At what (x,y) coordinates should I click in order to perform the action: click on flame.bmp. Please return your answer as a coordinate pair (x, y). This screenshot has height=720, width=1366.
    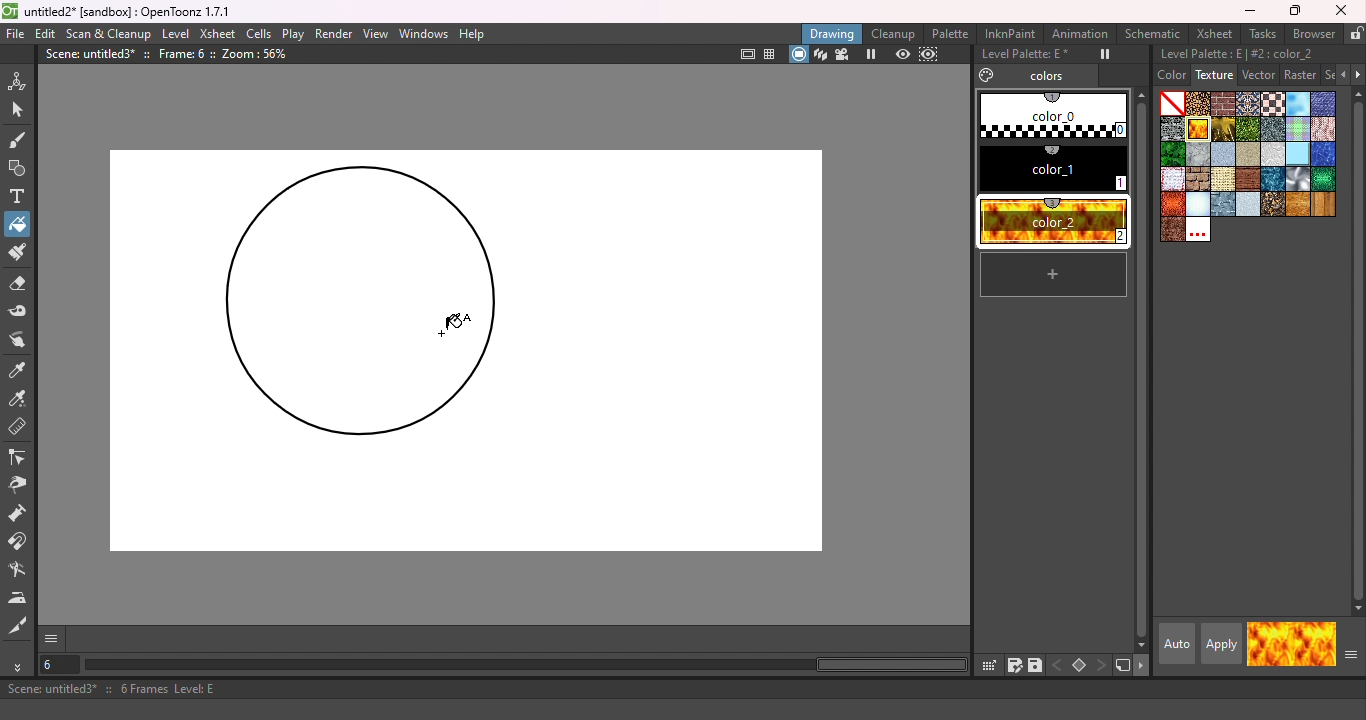
    Looking at the image, I should click on (1198, 129).